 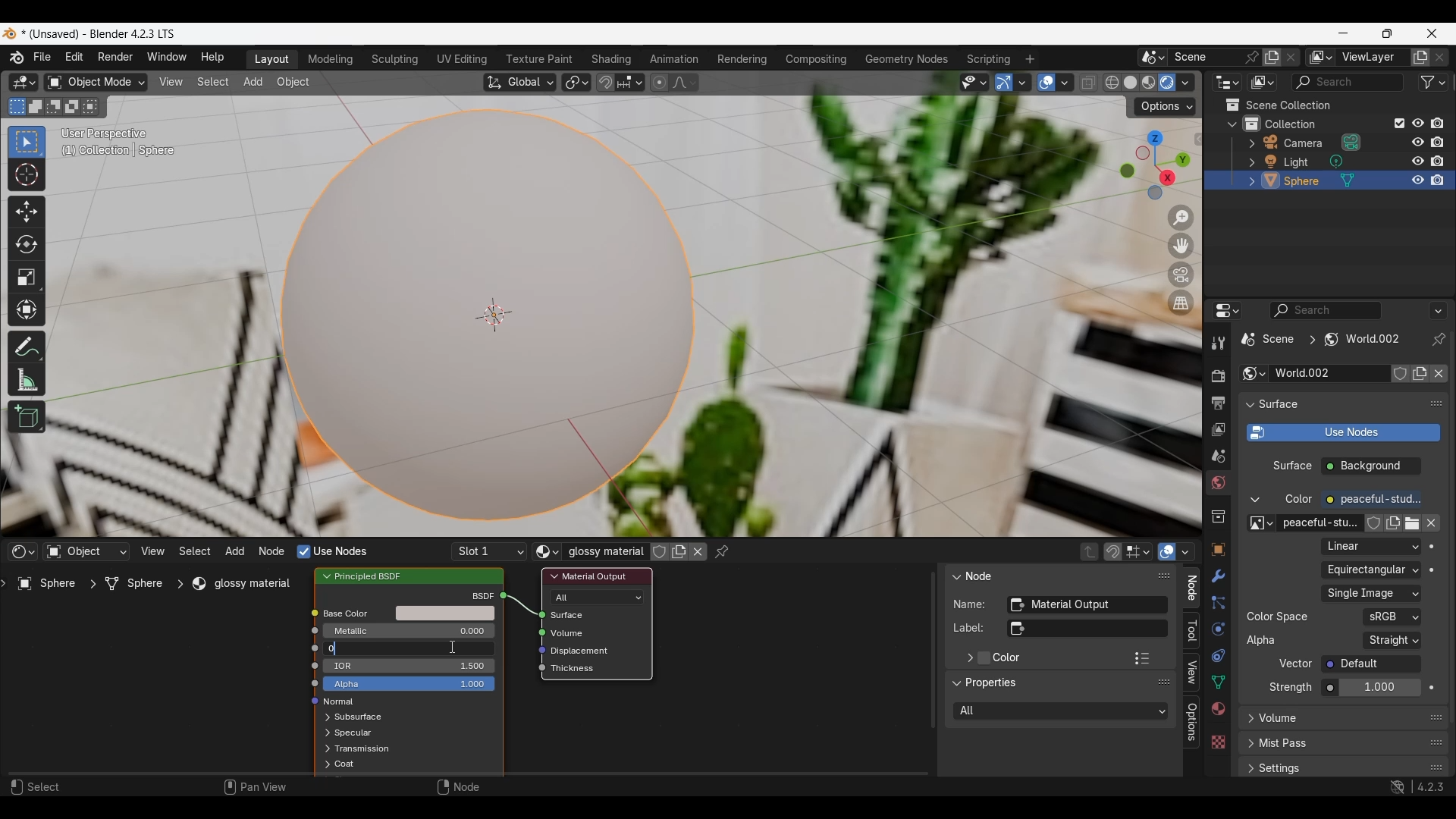 What do you see at coordinates (1299, 162) in the screenshot?
I see `light` at bounding box center [1299, 162].